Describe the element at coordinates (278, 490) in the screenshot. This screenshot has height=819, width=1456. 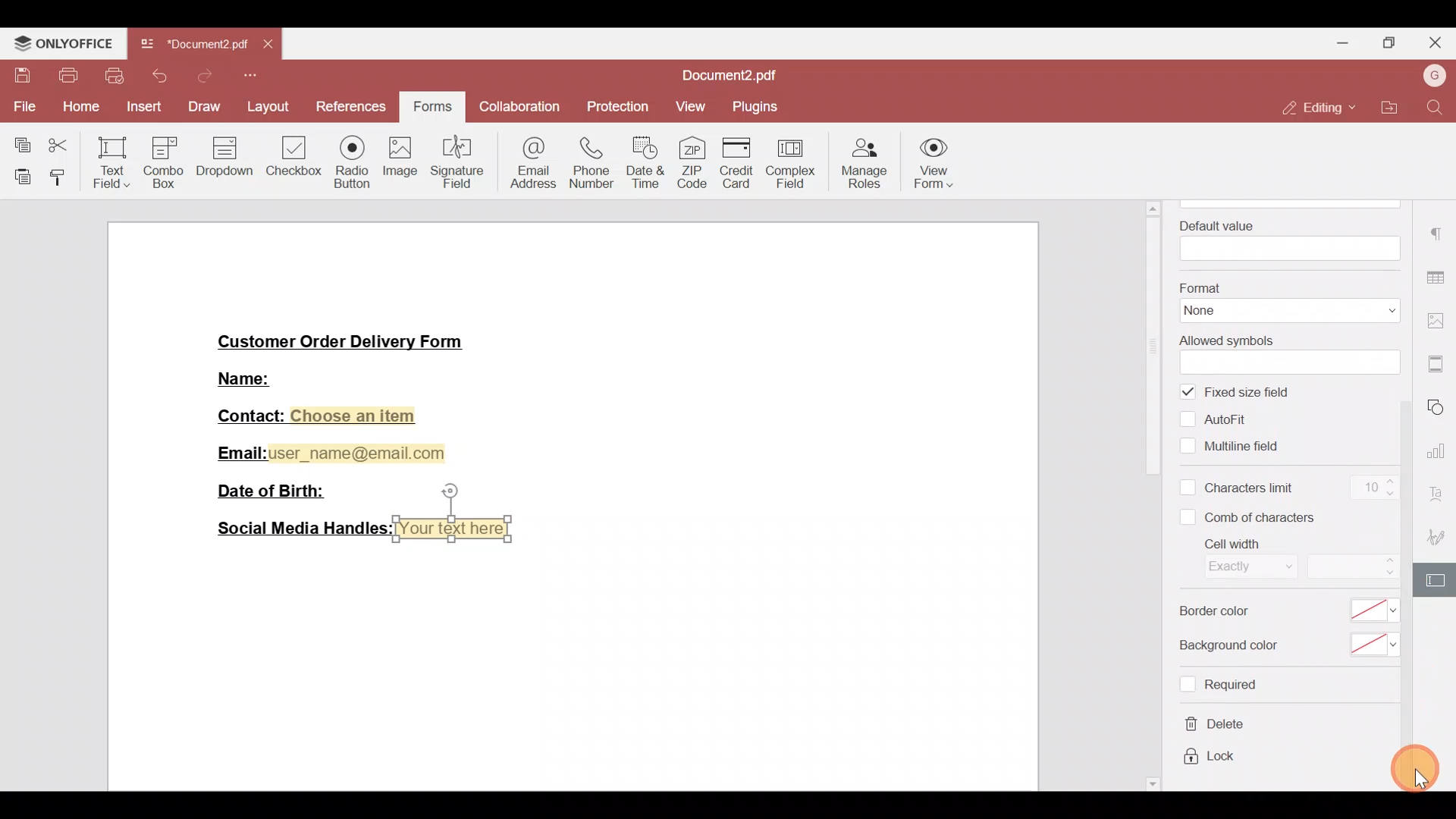
I see `Date of Birth:` at that location.